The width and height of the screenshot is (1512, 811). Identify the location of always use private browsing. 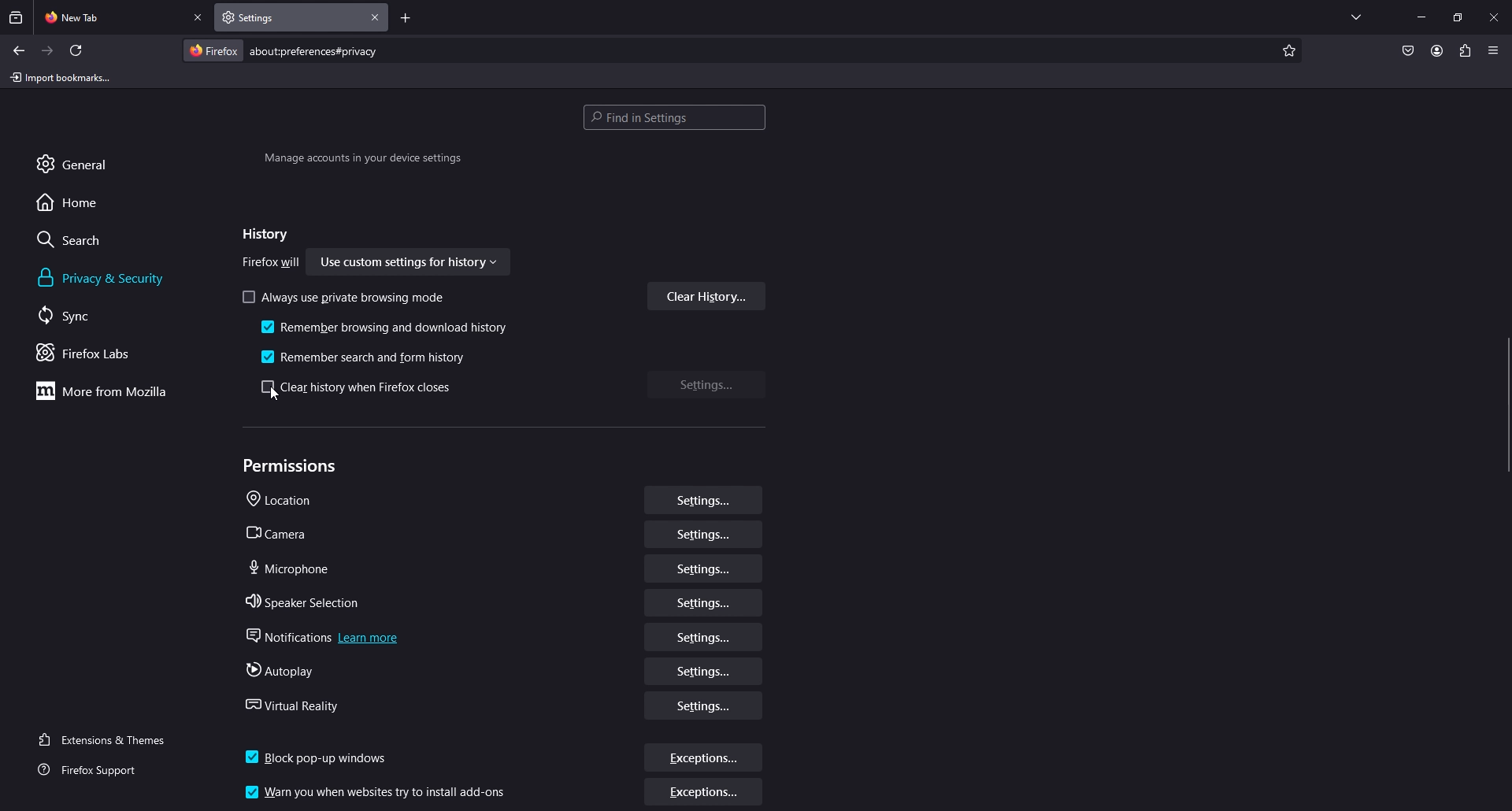
(346, 297).